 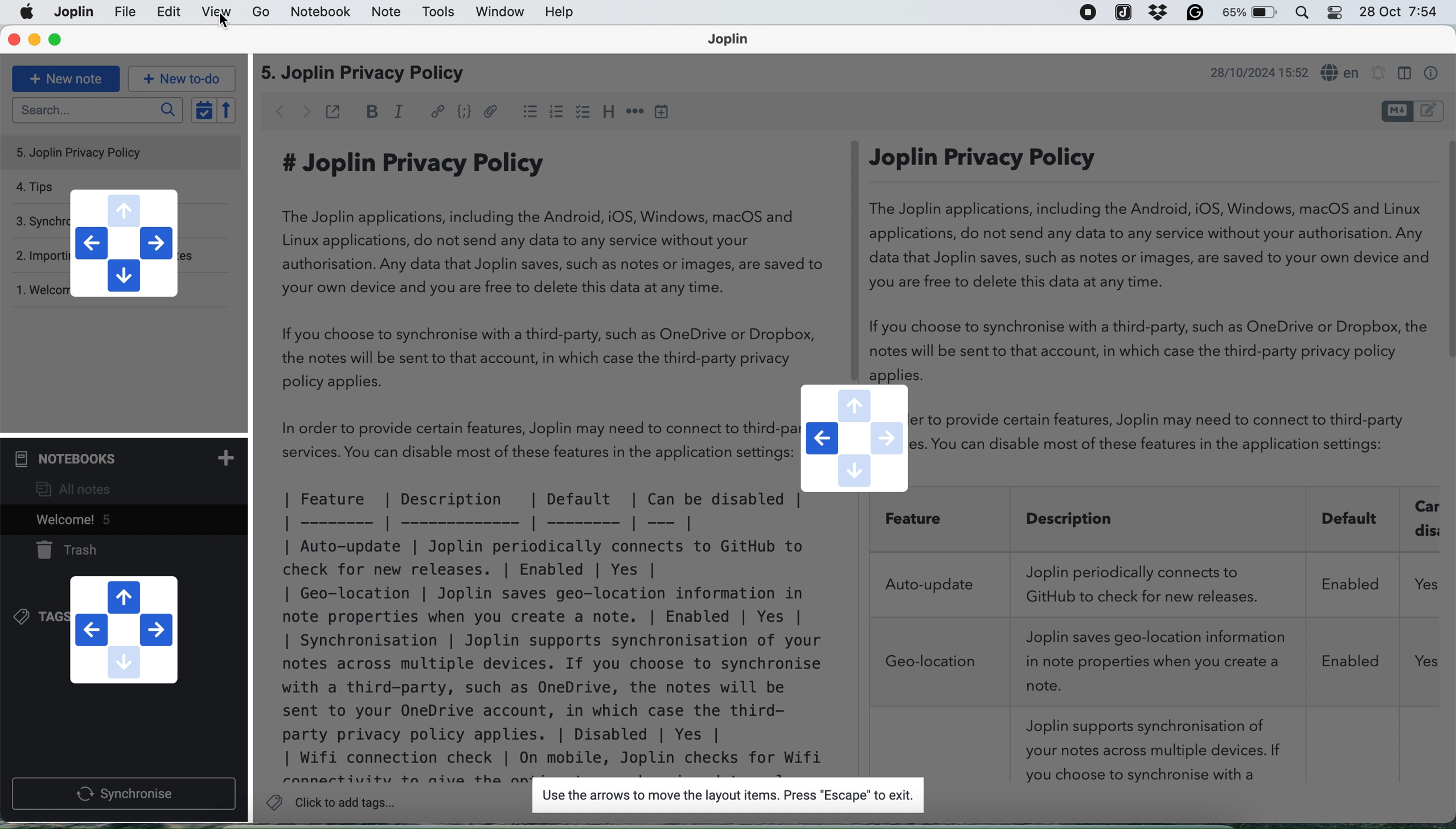 I want to click on control center, so click(x=1338, y=13).